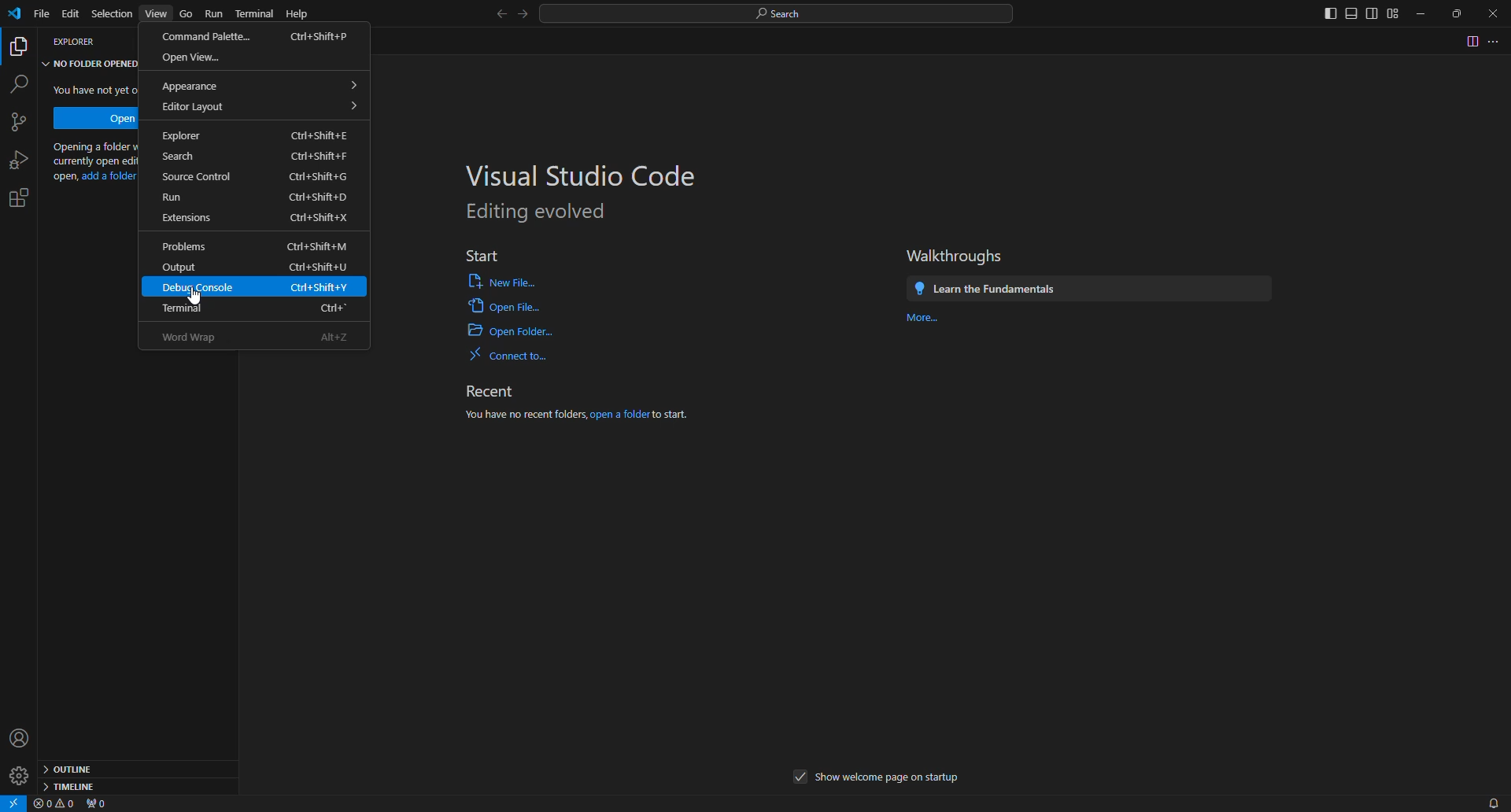 This screenshot has height=812, width=1511. What do you see at coordinates (253, 218) in the screenshot?
I see `Extensions` at bounding box center [253, 218].